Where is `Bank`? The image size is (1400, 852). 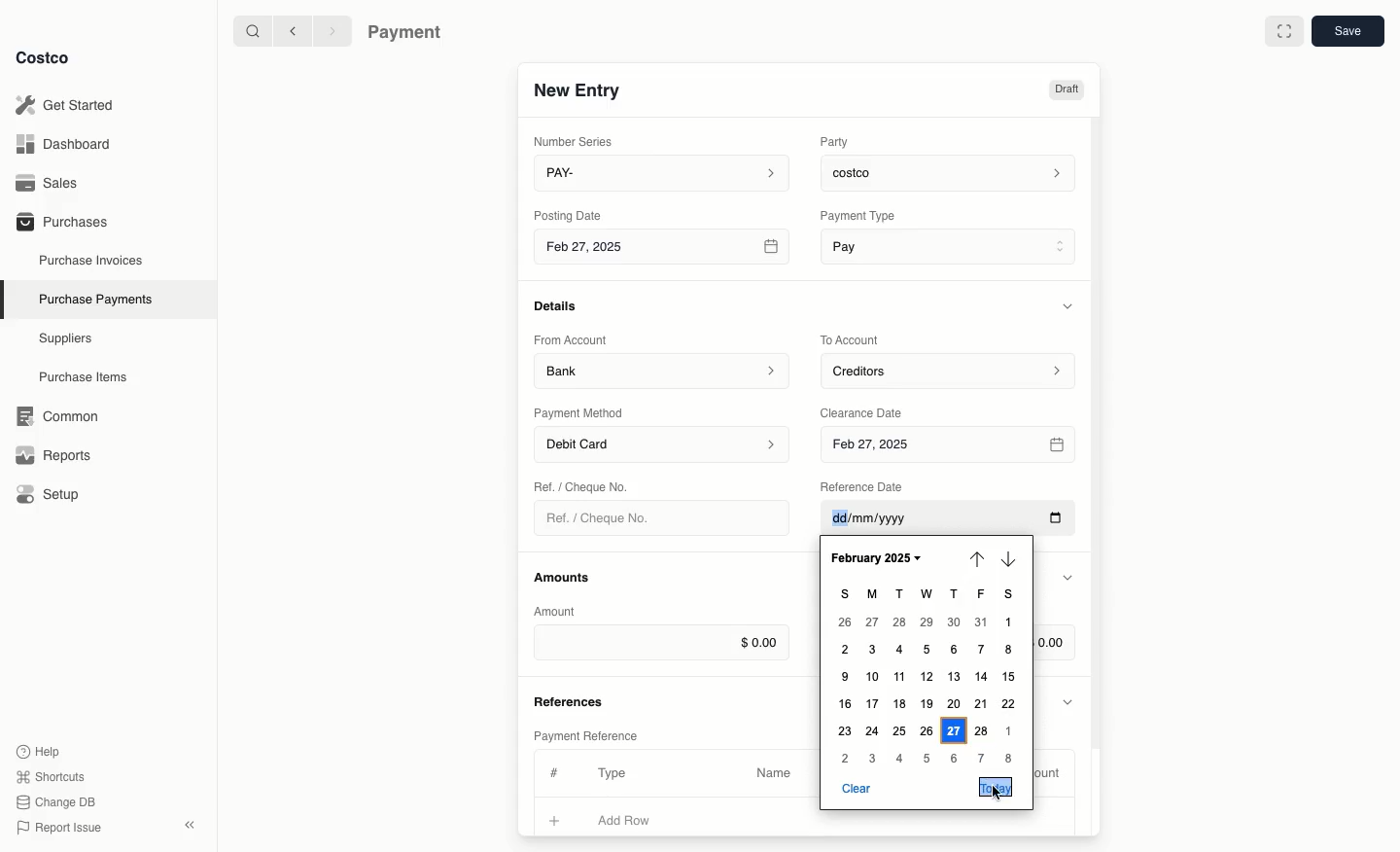
Bank is located at coordinates (662, 370).